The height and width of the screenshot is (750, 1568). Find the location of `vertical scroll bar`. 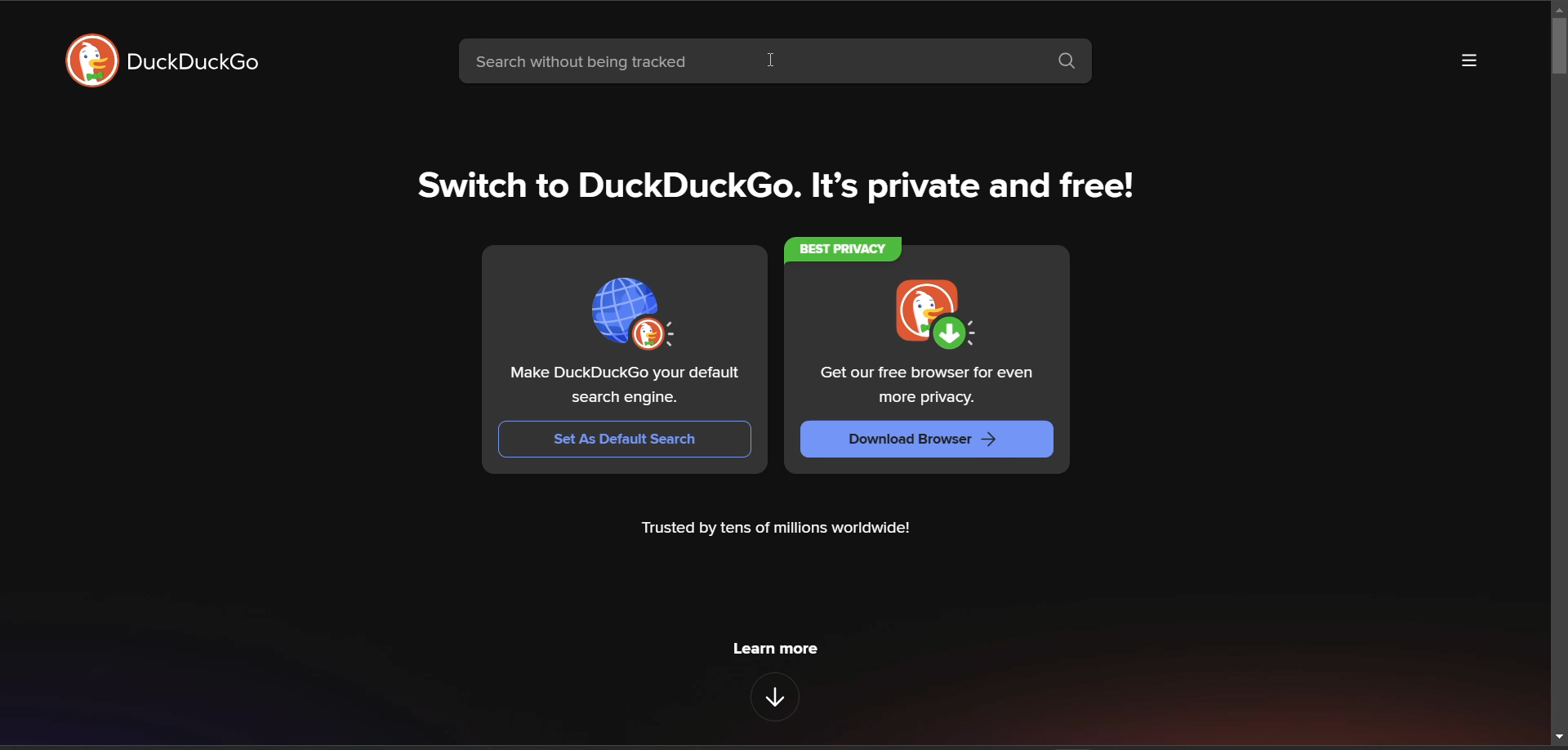

vertical scroll bar is located at coordinates (1557, 49).